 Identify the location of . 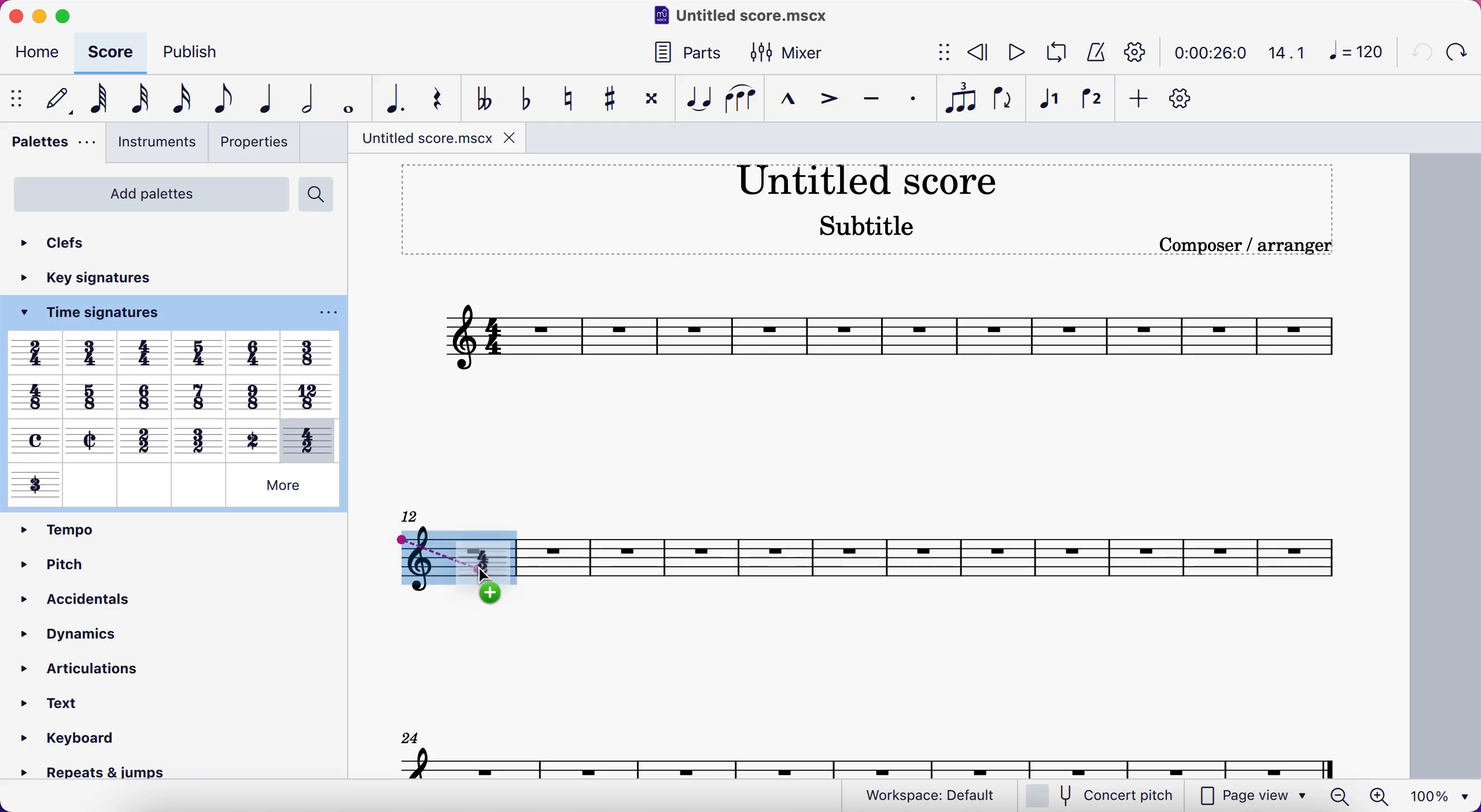
(283, 485).